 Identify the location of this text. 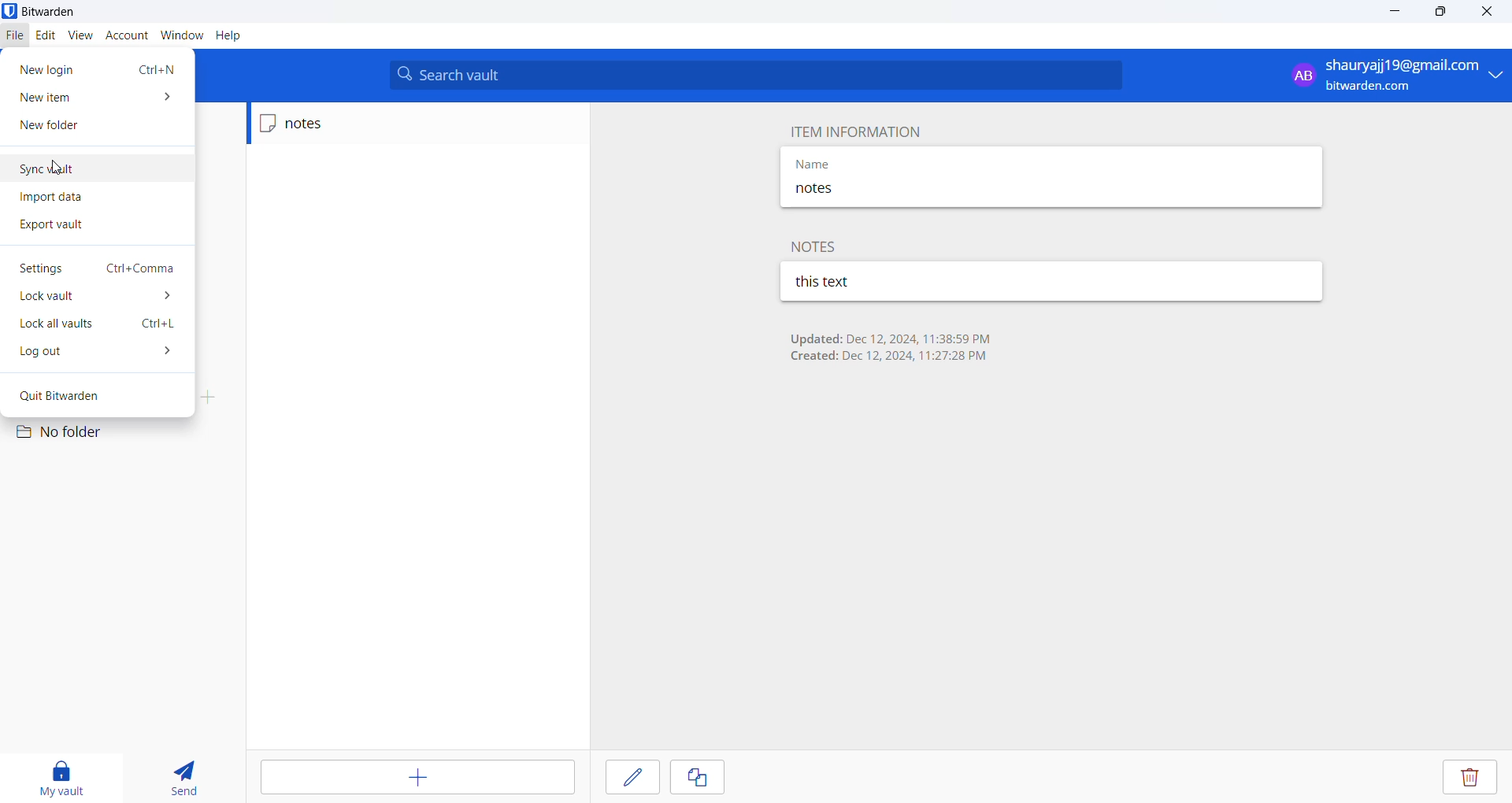
(883, 282).